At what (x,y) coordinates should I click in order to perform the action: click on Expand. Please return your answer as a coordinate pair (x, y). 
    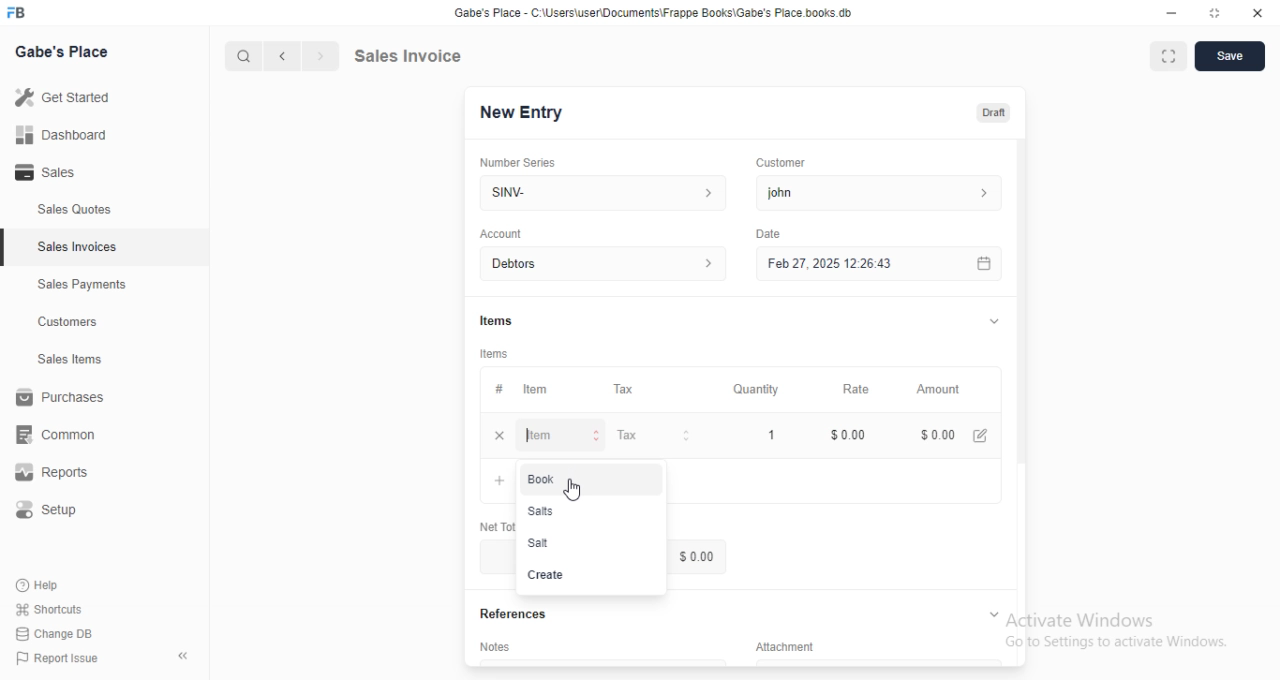
    Looking at the image, I should click on (1215, 14).